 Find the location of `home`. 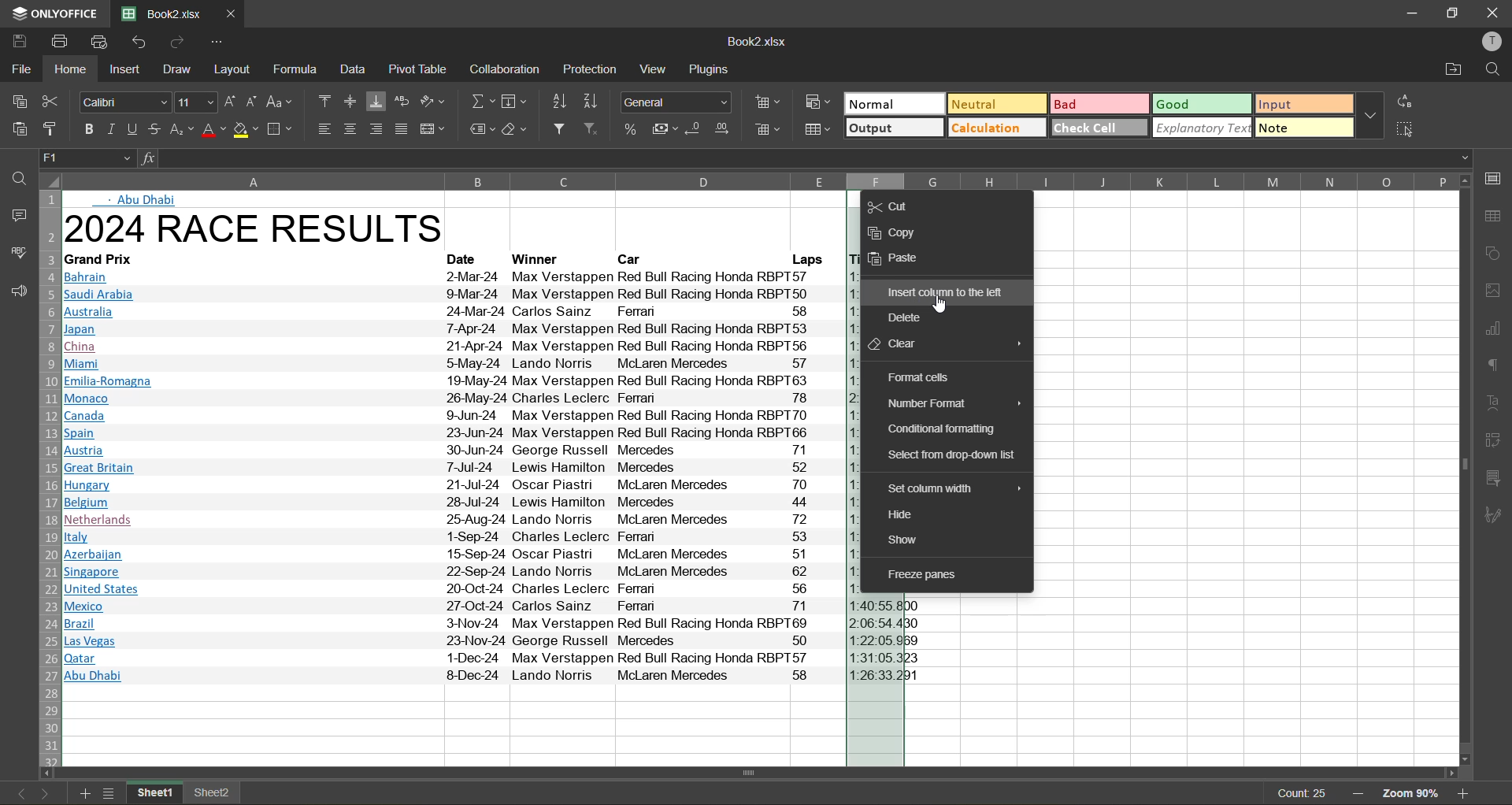

home is located at coordinates (72, 69).